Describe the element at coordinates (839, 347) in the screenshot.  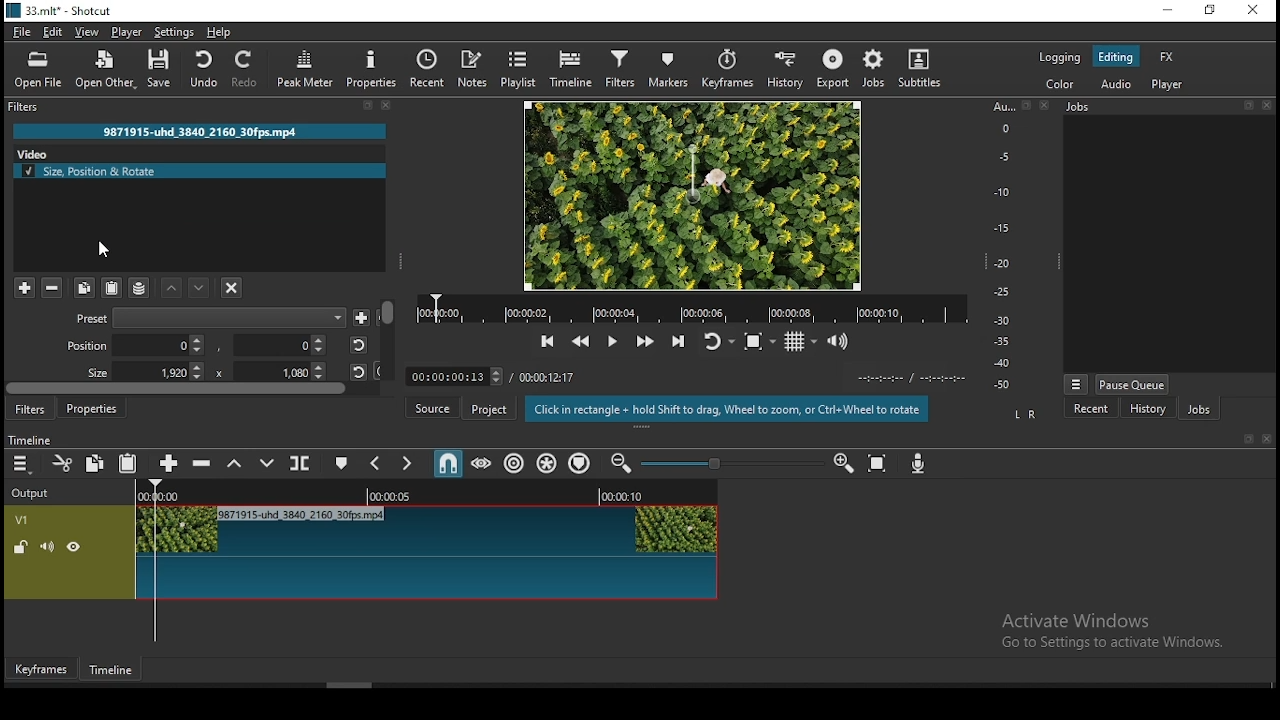
I see `show video volume control` at that location.